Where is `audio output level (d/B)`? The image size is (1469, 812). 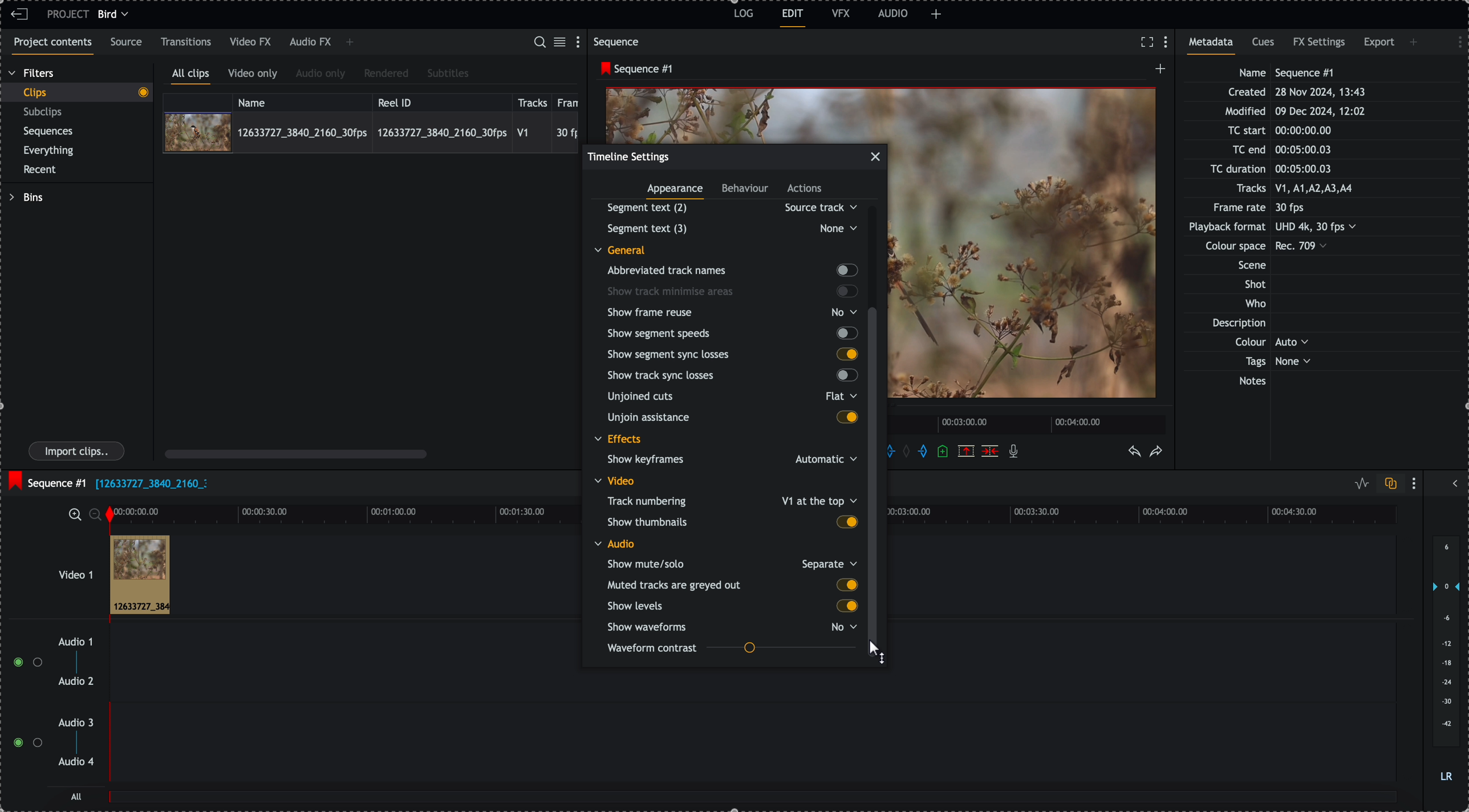
audio output level (d/B) is located at coordinates (1445, 660).